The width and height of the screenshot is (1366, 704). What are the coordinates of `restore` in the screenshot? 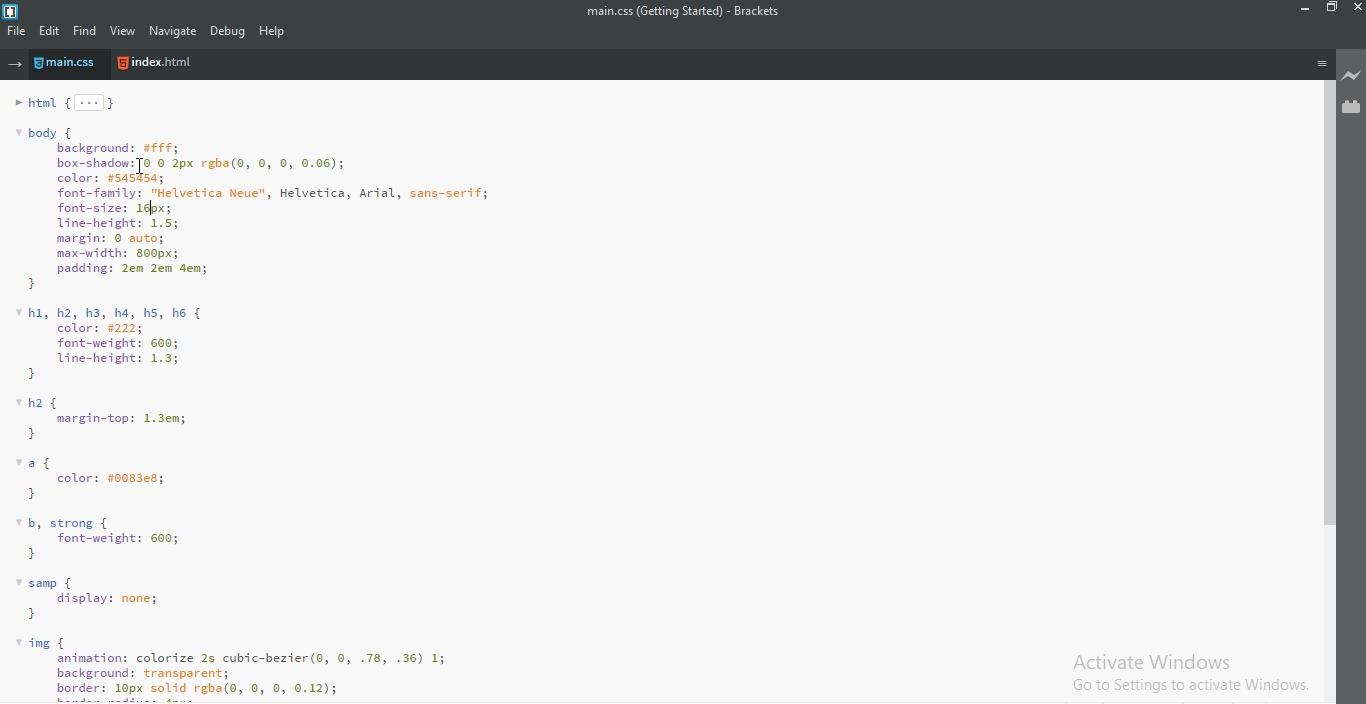 It's located at (1330, 11).